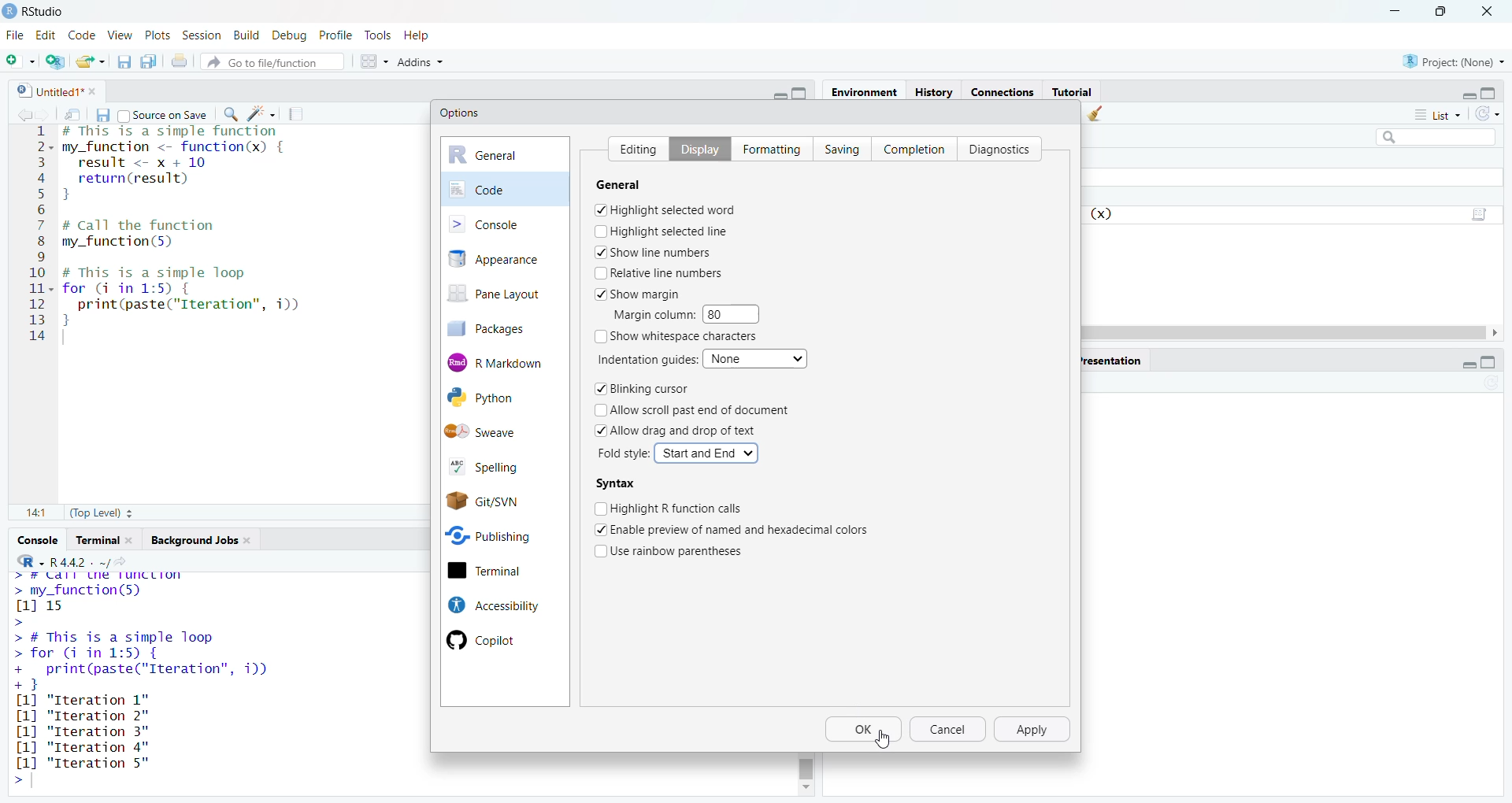 The image size is (1512, 803). What do you see at coordinates (651, 314) in the screenshot?
I see `margin column` at bounding box center [651, 314].